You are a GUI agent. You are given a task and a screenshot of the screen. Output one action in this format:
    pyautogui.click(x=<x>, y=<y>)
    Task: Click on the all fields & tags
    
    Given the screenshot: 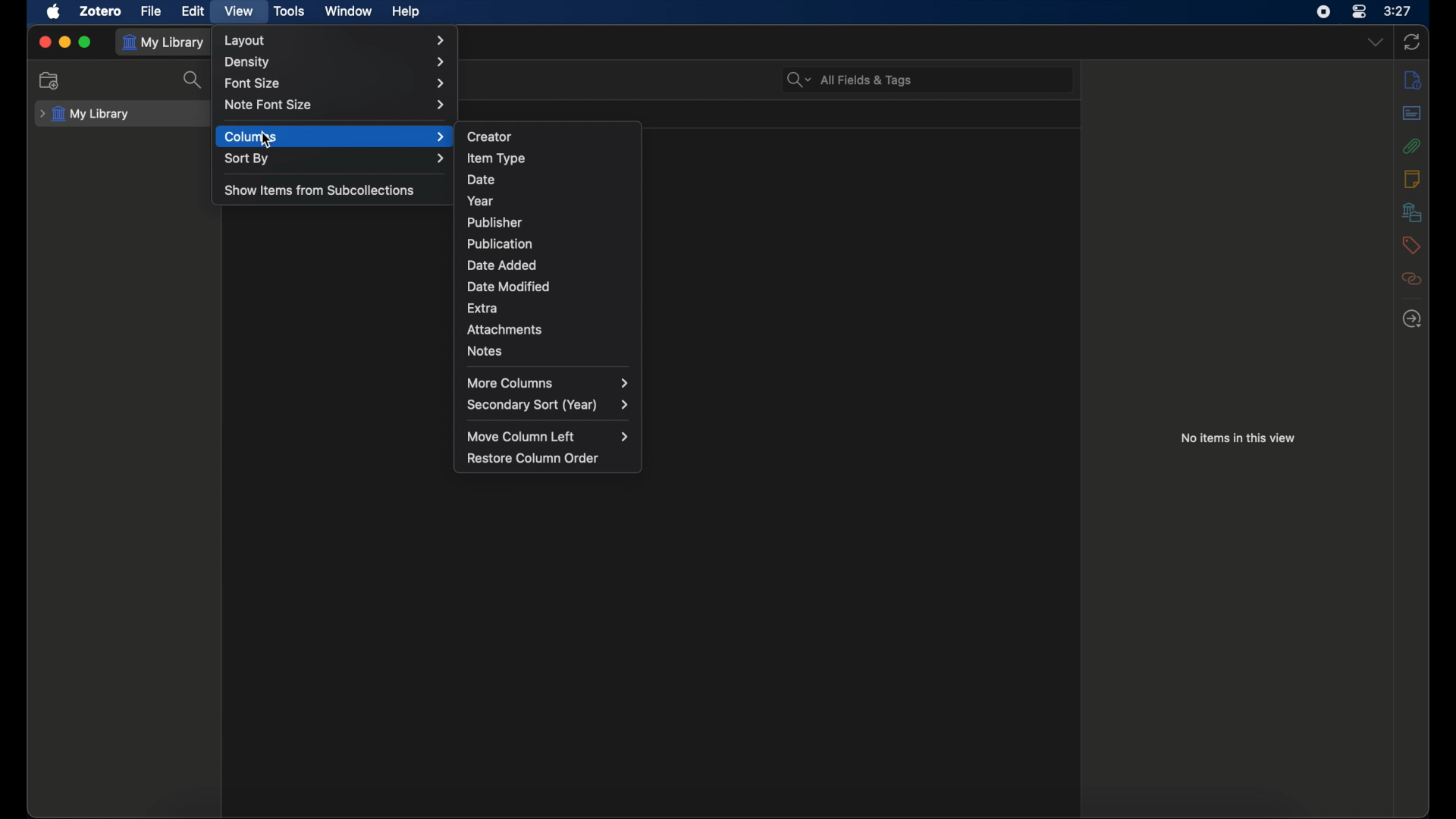 What is the action you would take?
    pyautogui.click(x=850, y=80)
    